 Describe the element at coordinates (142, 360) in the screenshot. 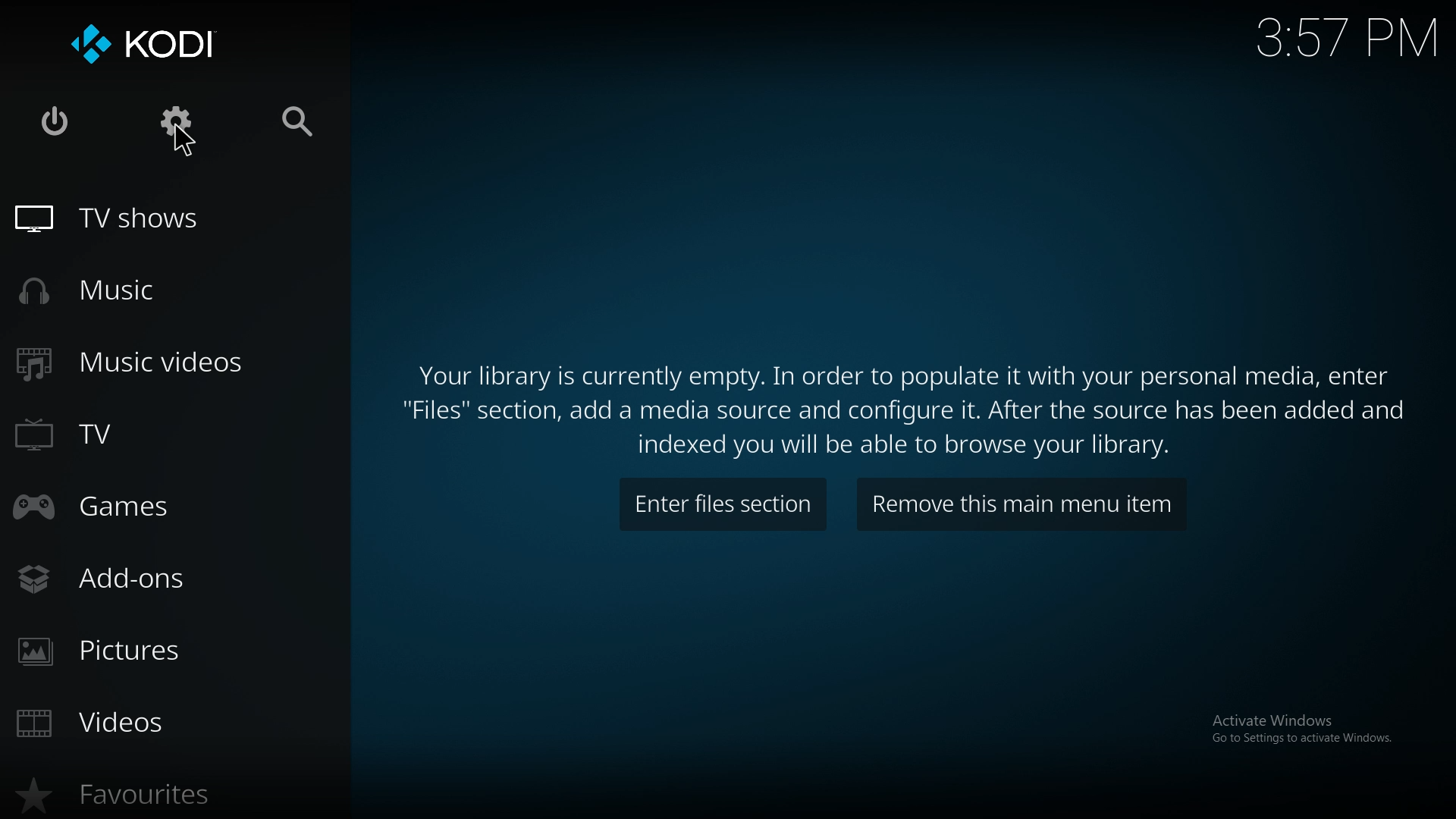

I see `music videos` at that location.